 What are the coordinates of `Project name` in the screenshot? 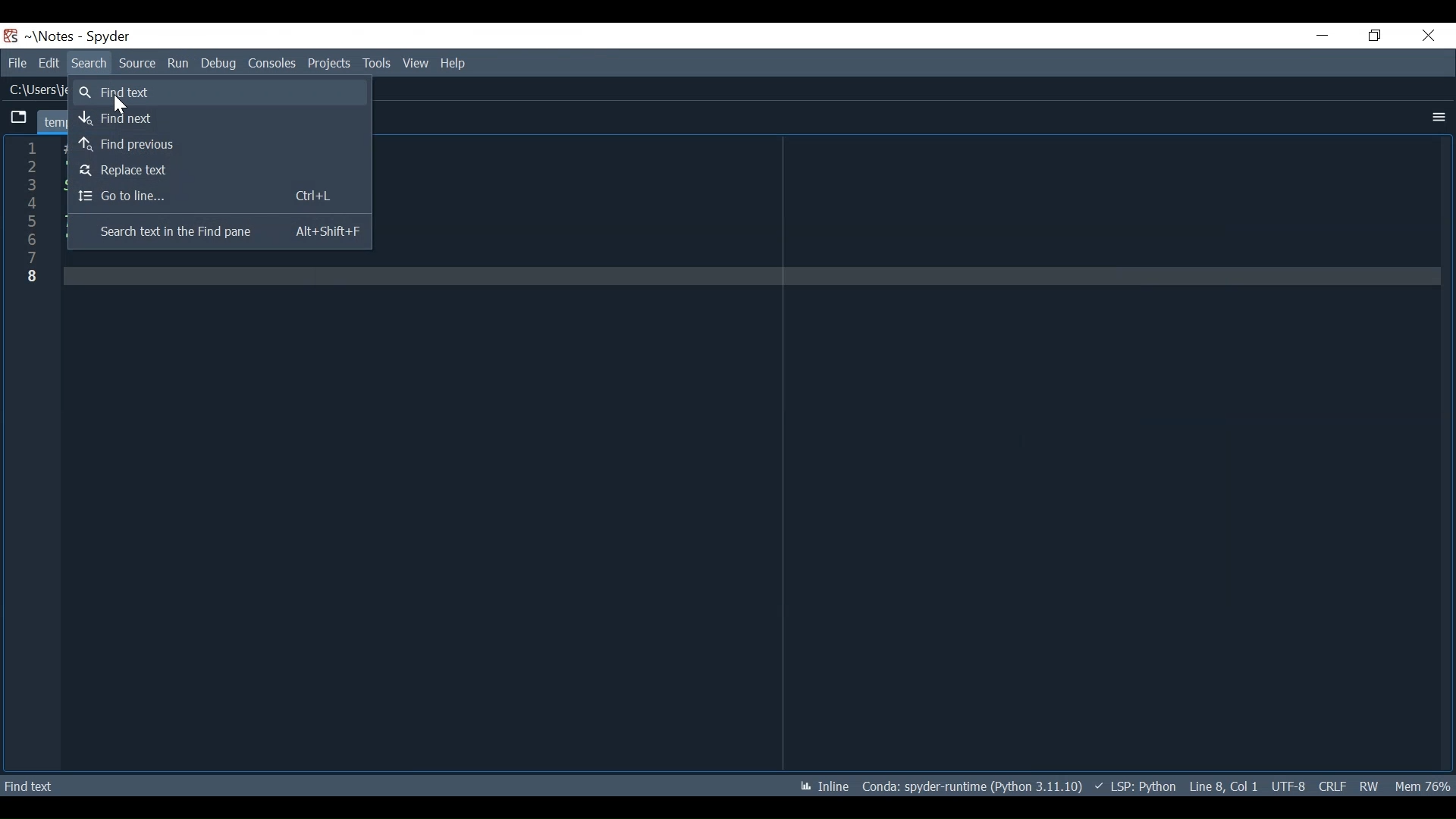 It's located at (49, 36).